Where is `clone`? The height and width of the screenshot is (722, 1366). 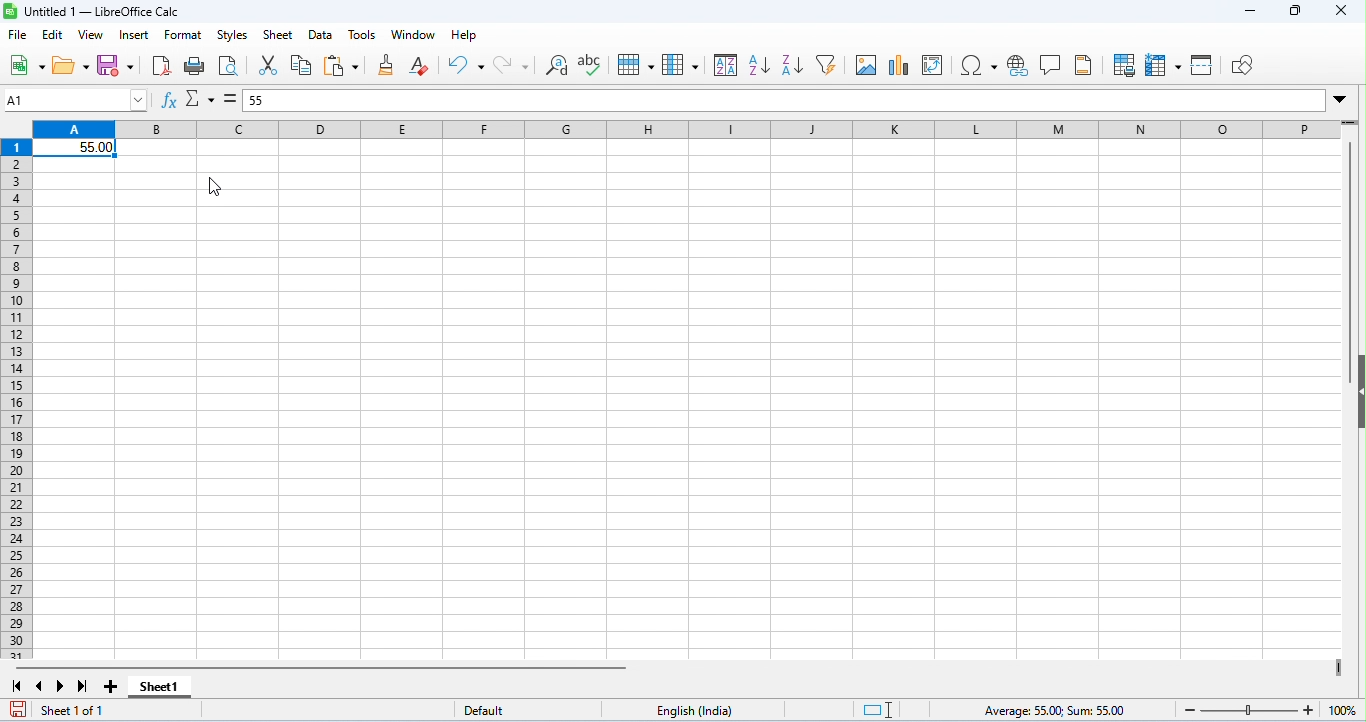
clone is located at coordinates (387, 67).